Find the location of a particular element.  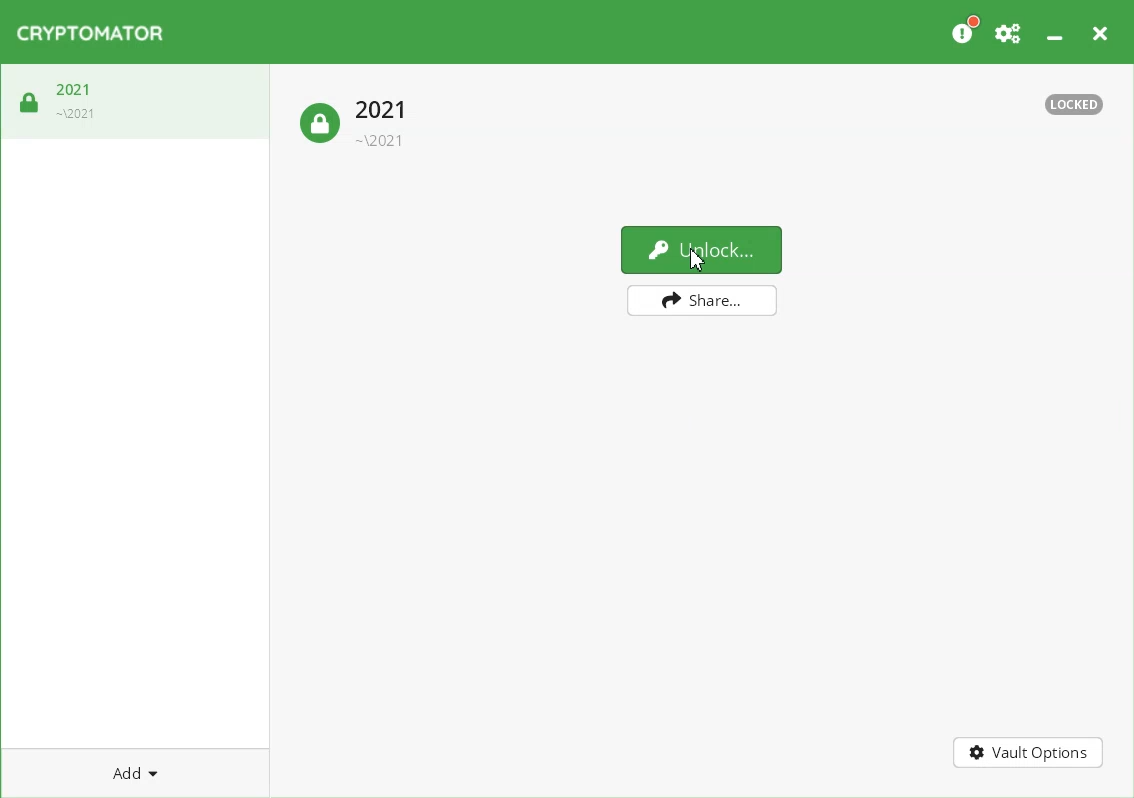

Add is located at coordinates (135, 772).